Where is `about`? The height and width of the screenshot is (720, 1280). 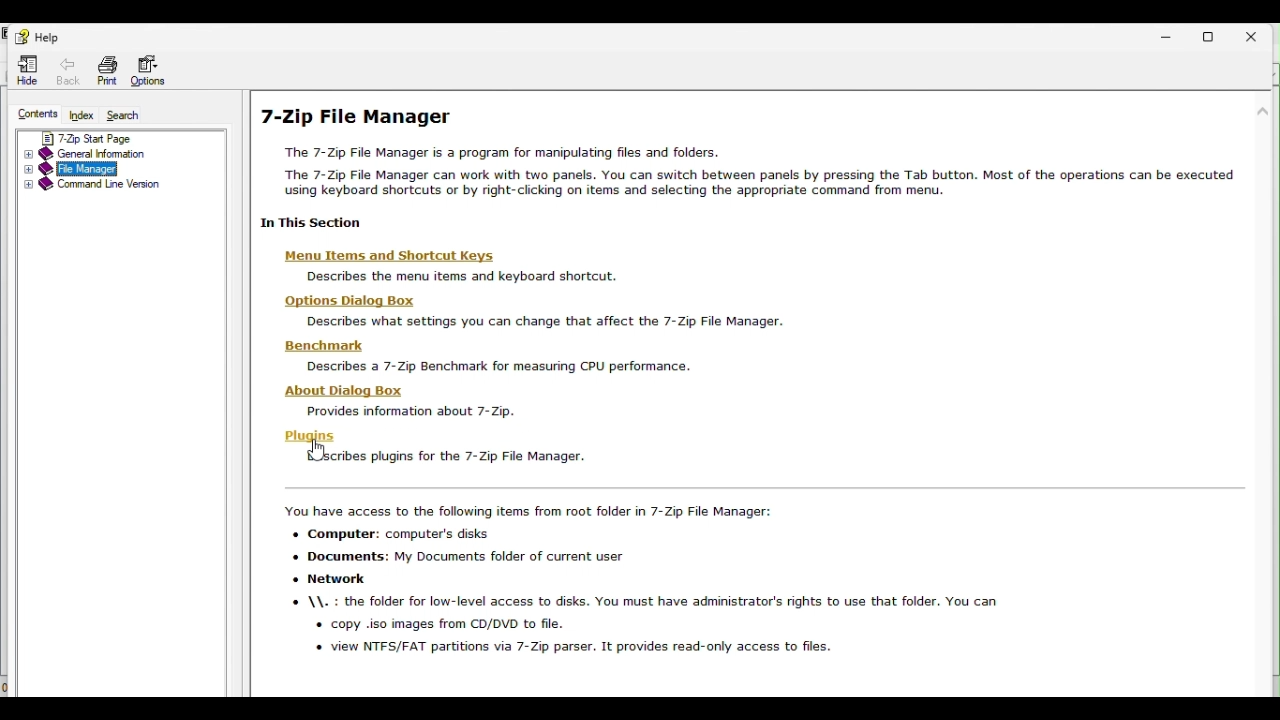
about is located at coordinates (346, 390).